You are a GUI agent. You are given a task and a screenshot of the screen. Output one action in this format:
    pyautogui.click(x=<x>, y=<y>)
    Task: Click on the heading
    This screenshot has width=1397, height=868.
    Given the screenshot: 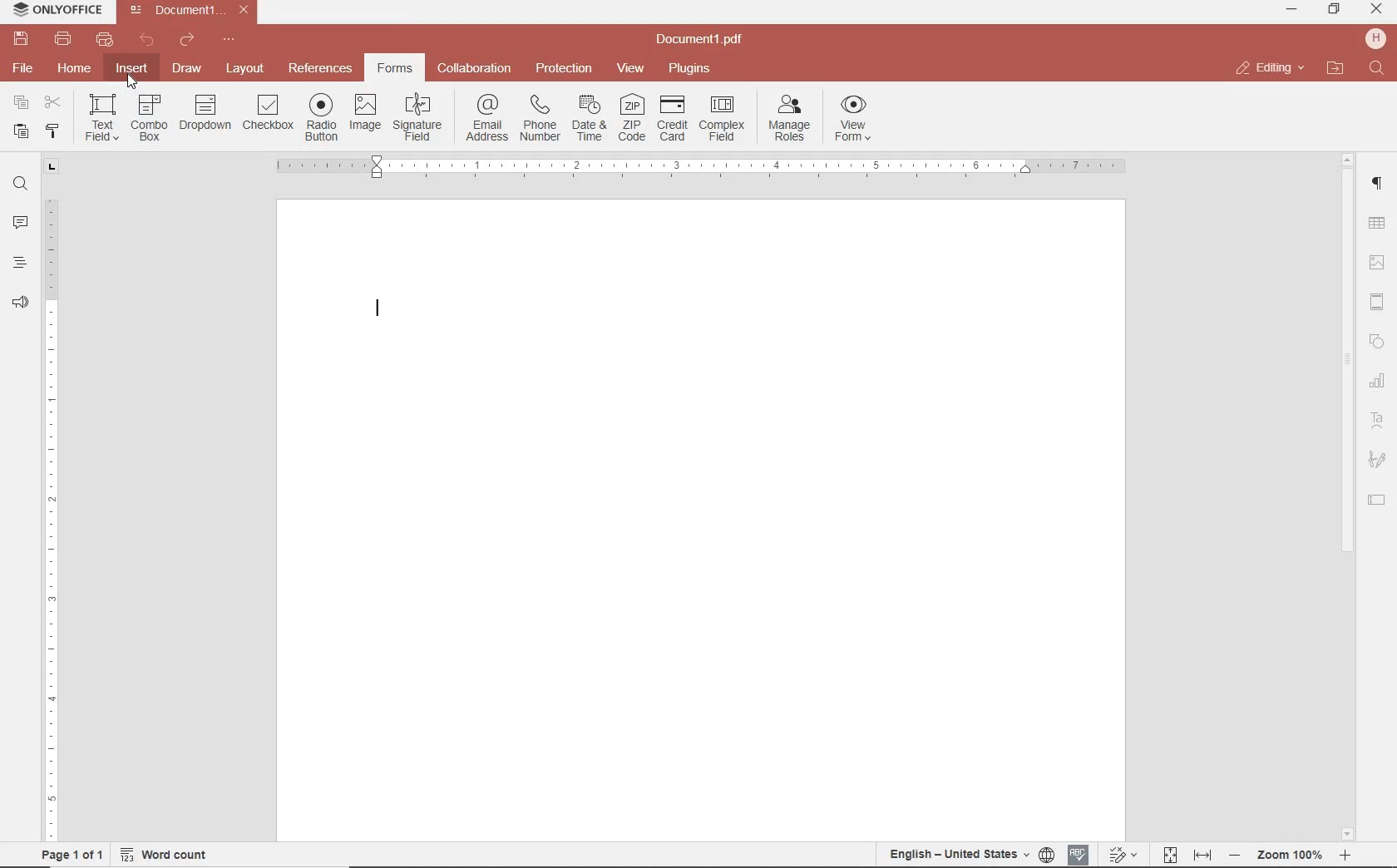 What is the action you would take?
    pyautogui.click(x=20, y=262)
    